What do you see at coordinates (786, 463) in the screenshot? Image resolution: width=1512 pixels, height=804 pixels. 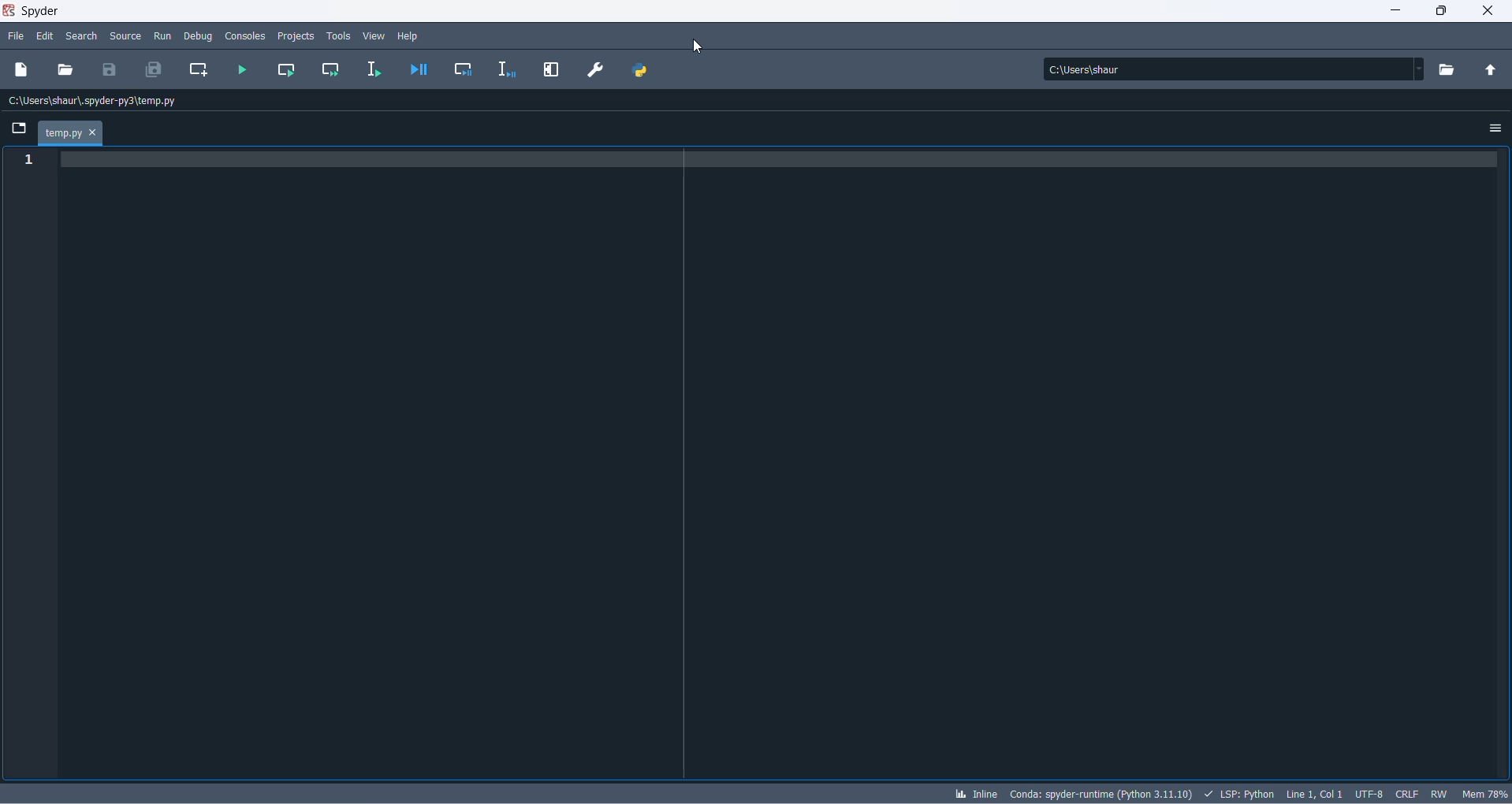 I see `code pad` at bounding box center [786, 463].